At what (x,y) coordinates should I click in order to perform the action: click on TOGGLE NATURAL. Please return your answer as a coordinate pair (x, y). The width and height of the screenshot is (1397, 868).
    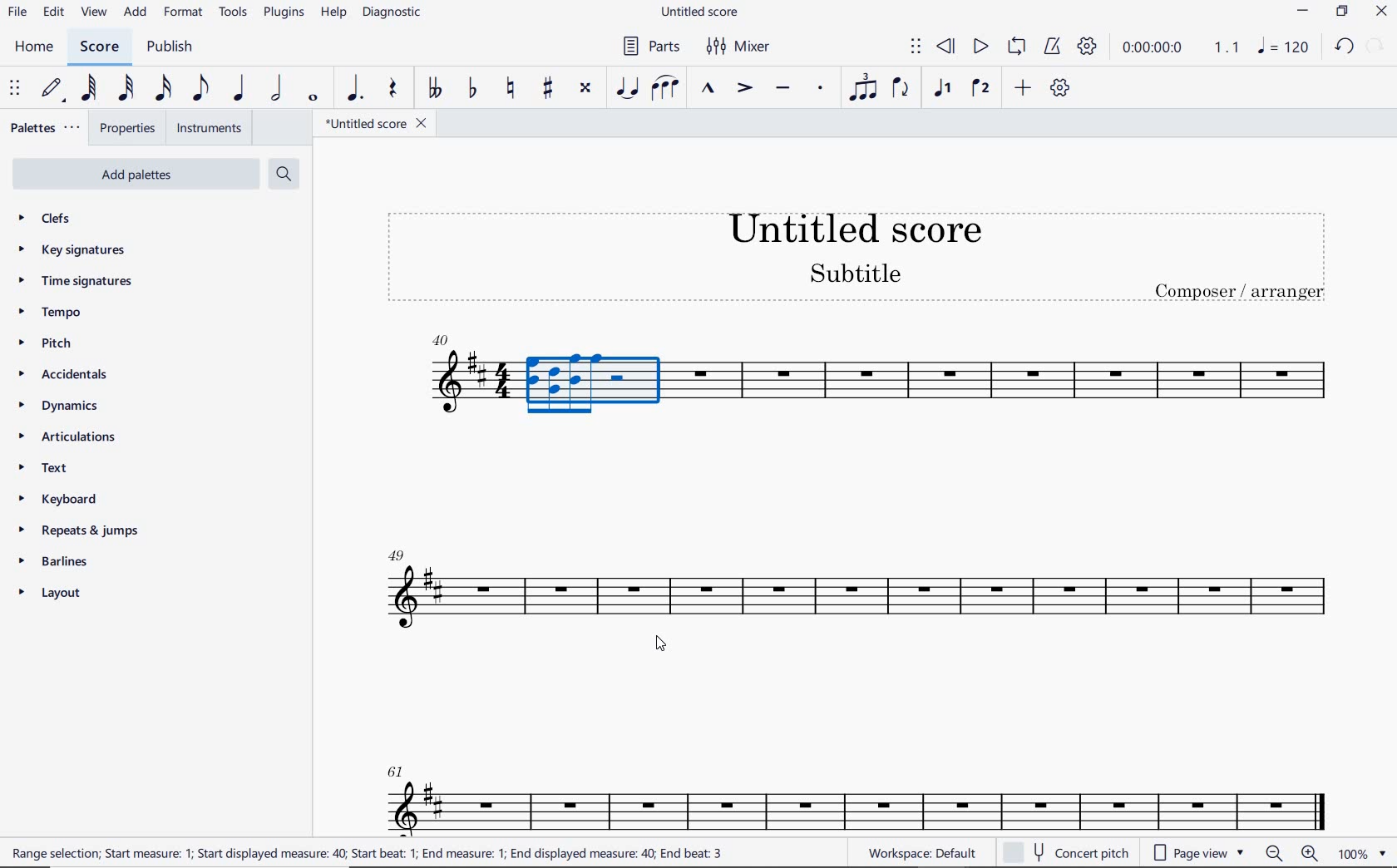
    Looking at the image, I should click on (513, 89).